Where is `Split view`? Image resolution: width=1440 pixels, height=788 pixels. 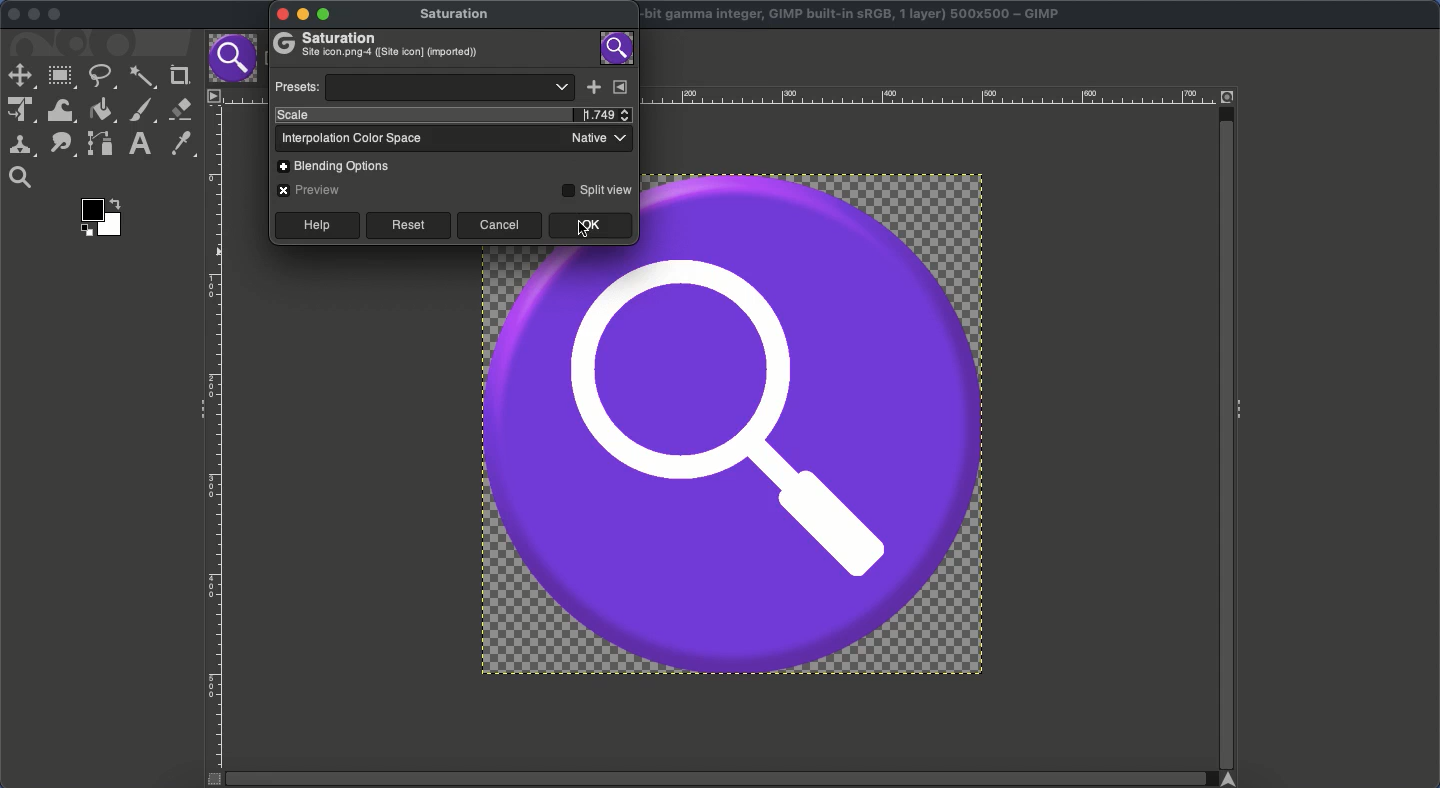
Split view is located at coordinates (596, 189).